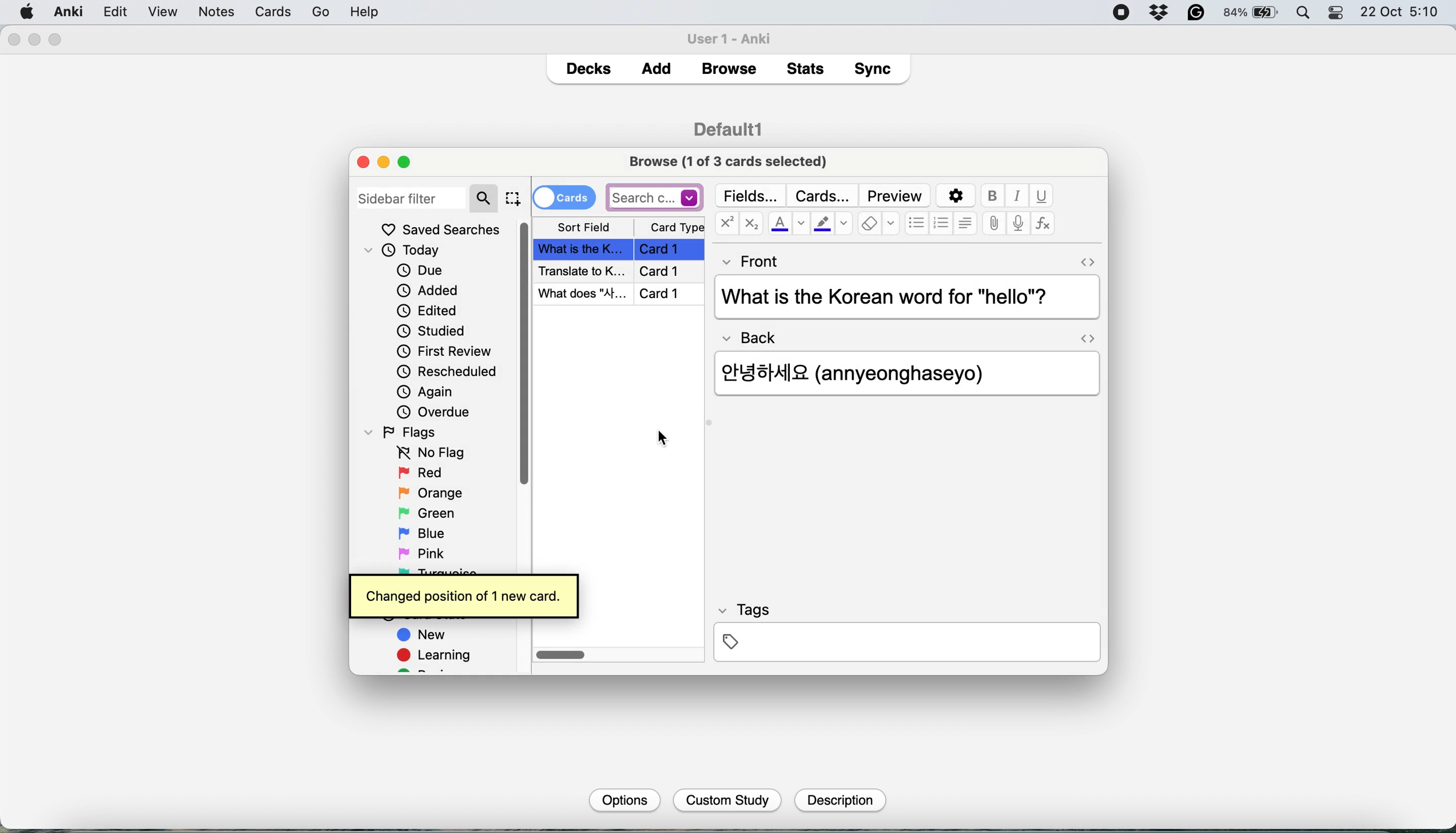  What do you see at coordinates (1401, 13) in the screenshot?
I see `22 Oct 5:10` at bounding box center [1401, 13].